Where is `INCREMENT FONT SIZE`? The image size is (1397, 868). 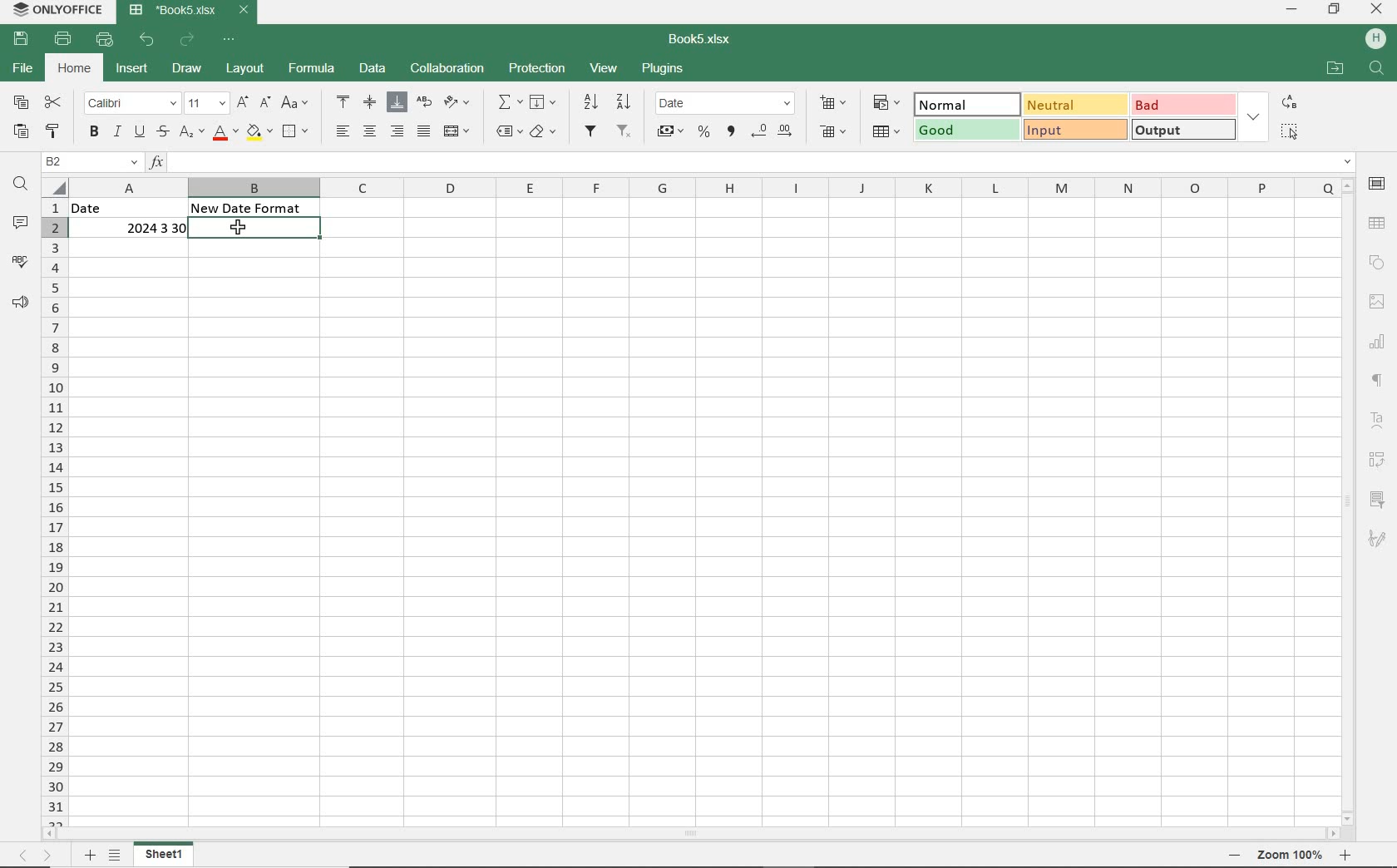
INCREMENT FONT SIZE is located at coordinates (244, 103).